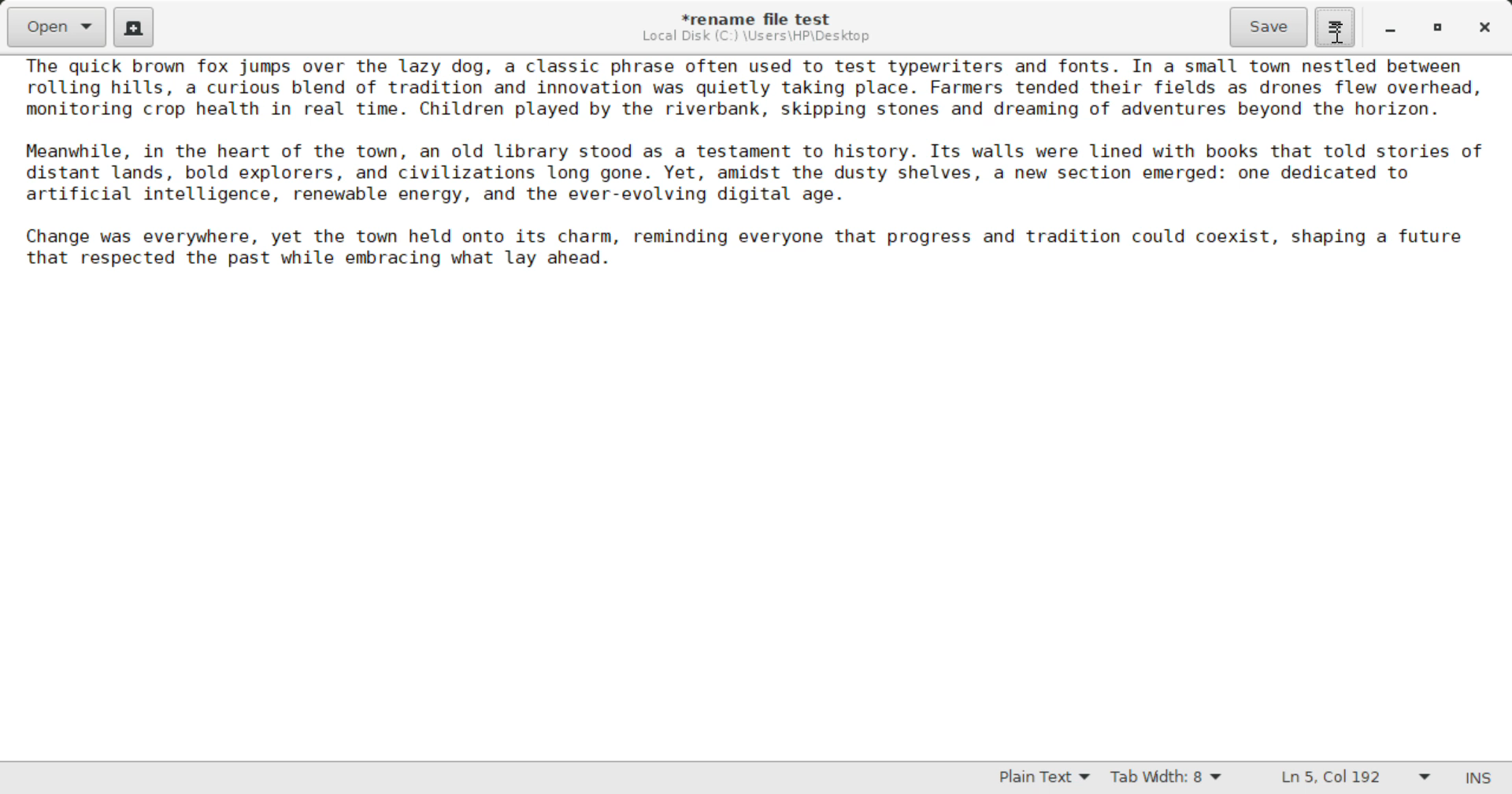 The height and width of the screenshot is (794, 1512). Describe the element at coordinates (132, 25) in the screenshot. I see `Create New Document` at that location.